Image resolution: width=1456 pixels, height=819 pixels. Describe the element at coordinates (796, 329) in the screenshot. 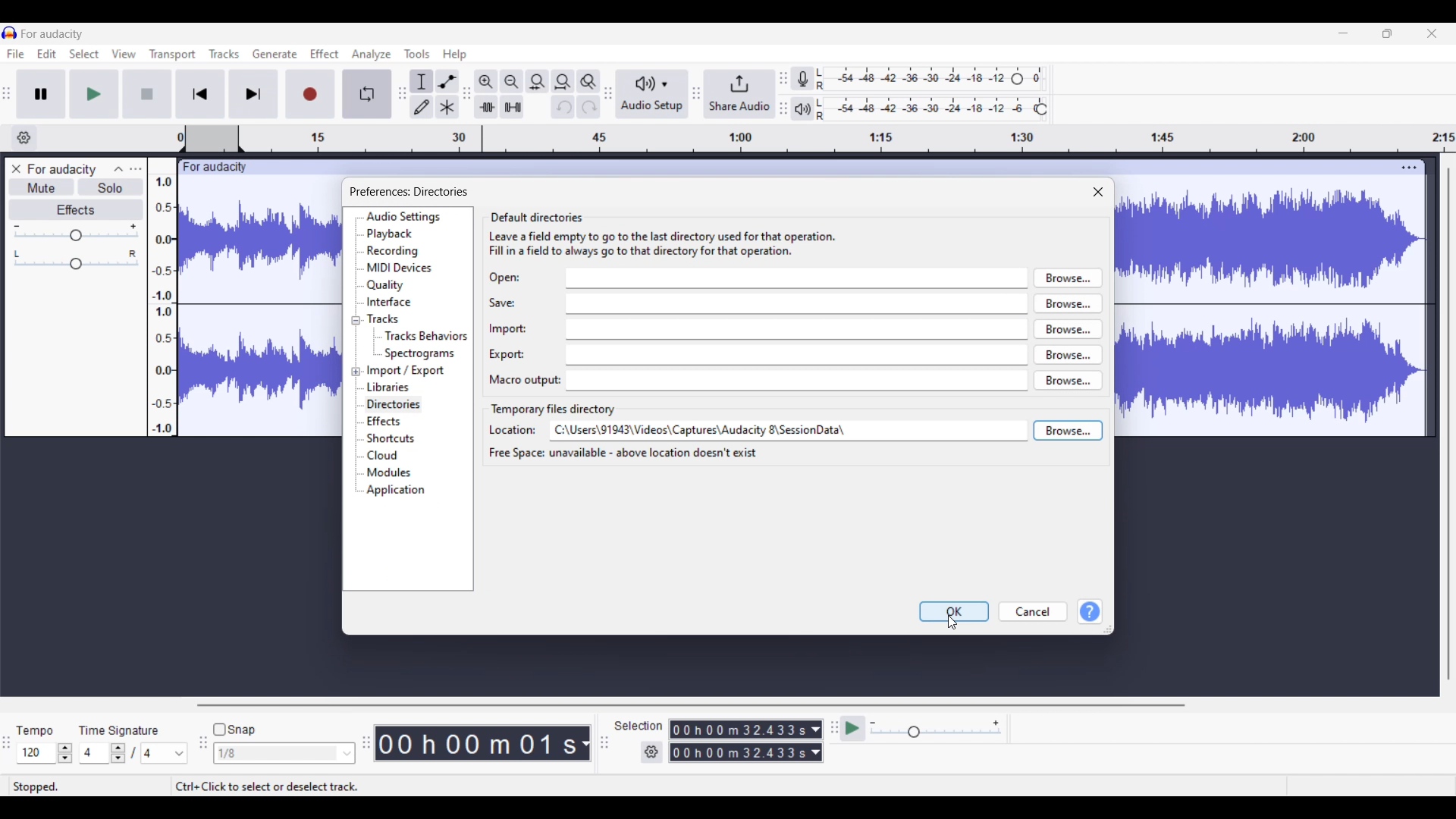

I see `import input box` at that location.